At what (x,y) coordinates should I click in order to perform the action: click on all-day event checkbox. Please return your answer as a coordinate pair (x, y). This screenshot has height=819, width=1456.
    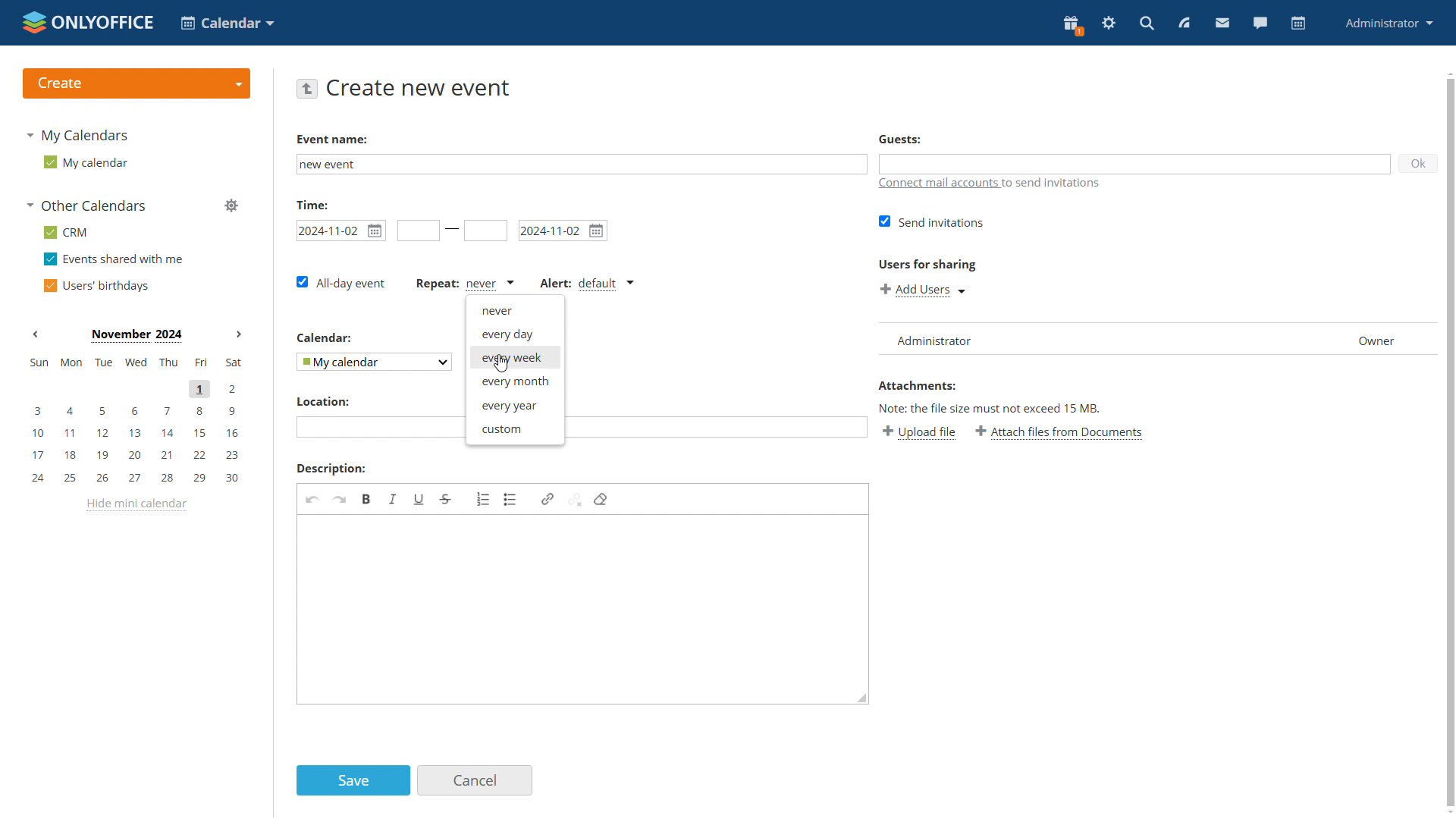
    Looking at the image, I should click on (343, 283).